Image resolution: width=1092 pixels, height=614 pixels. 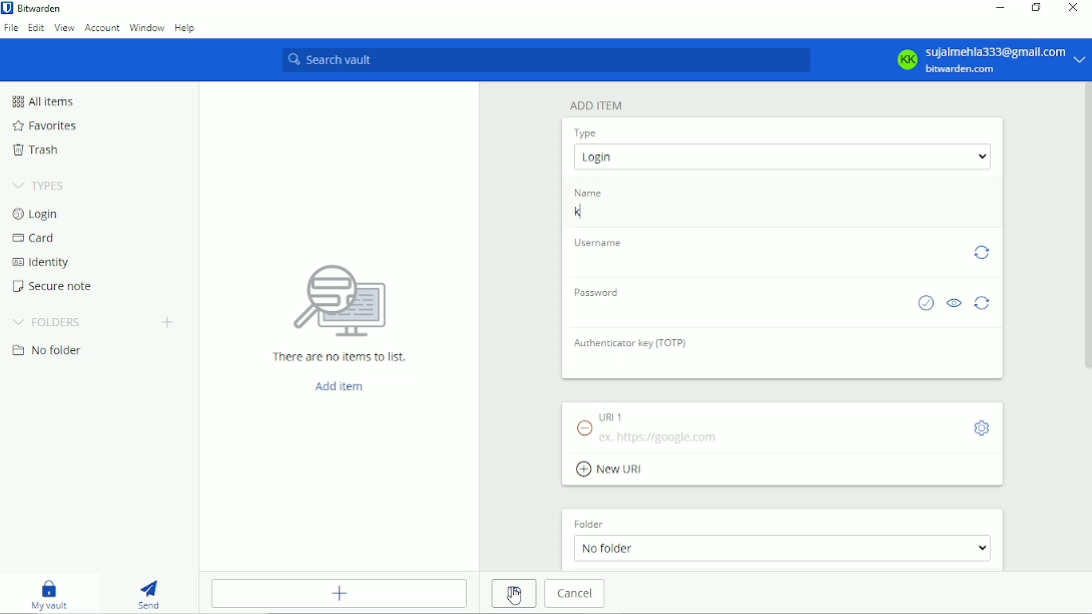 What do you see at coordinates (65, 29) in the screenshot?
I see `View` at bounding box center [65, 29].